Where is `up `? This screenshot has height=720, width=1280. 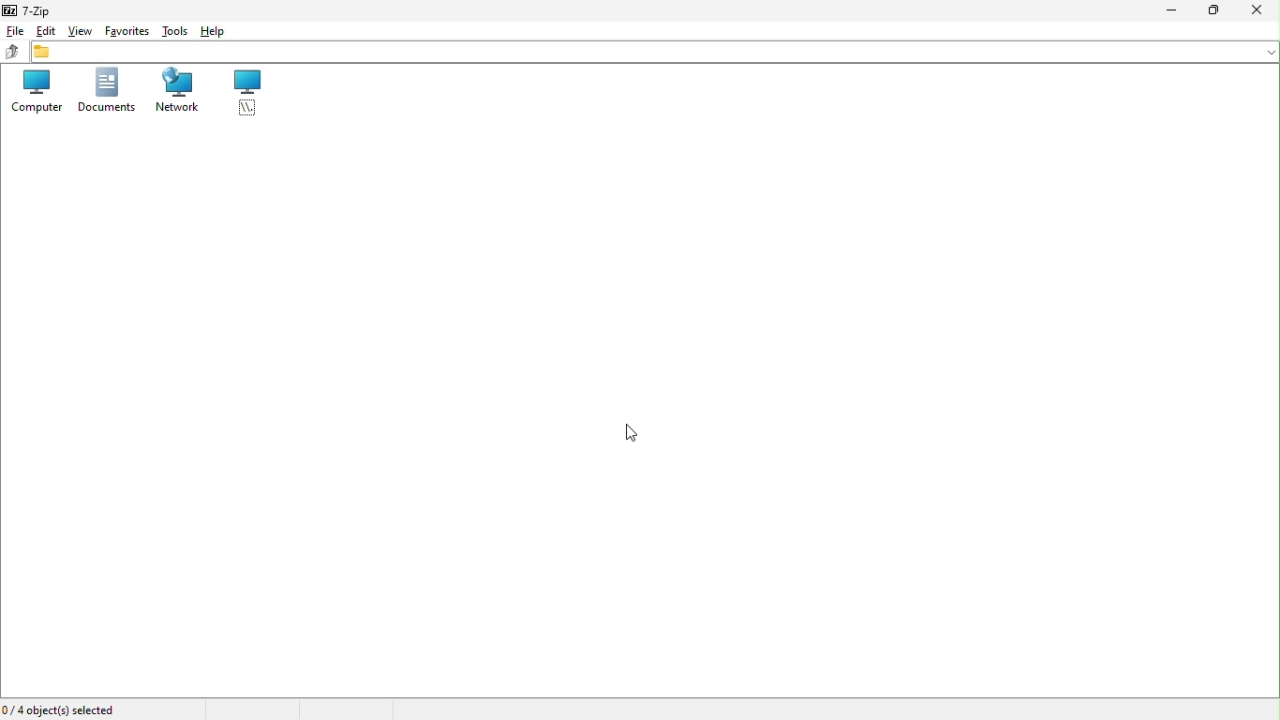 up  is located at coordinates (10, 50).